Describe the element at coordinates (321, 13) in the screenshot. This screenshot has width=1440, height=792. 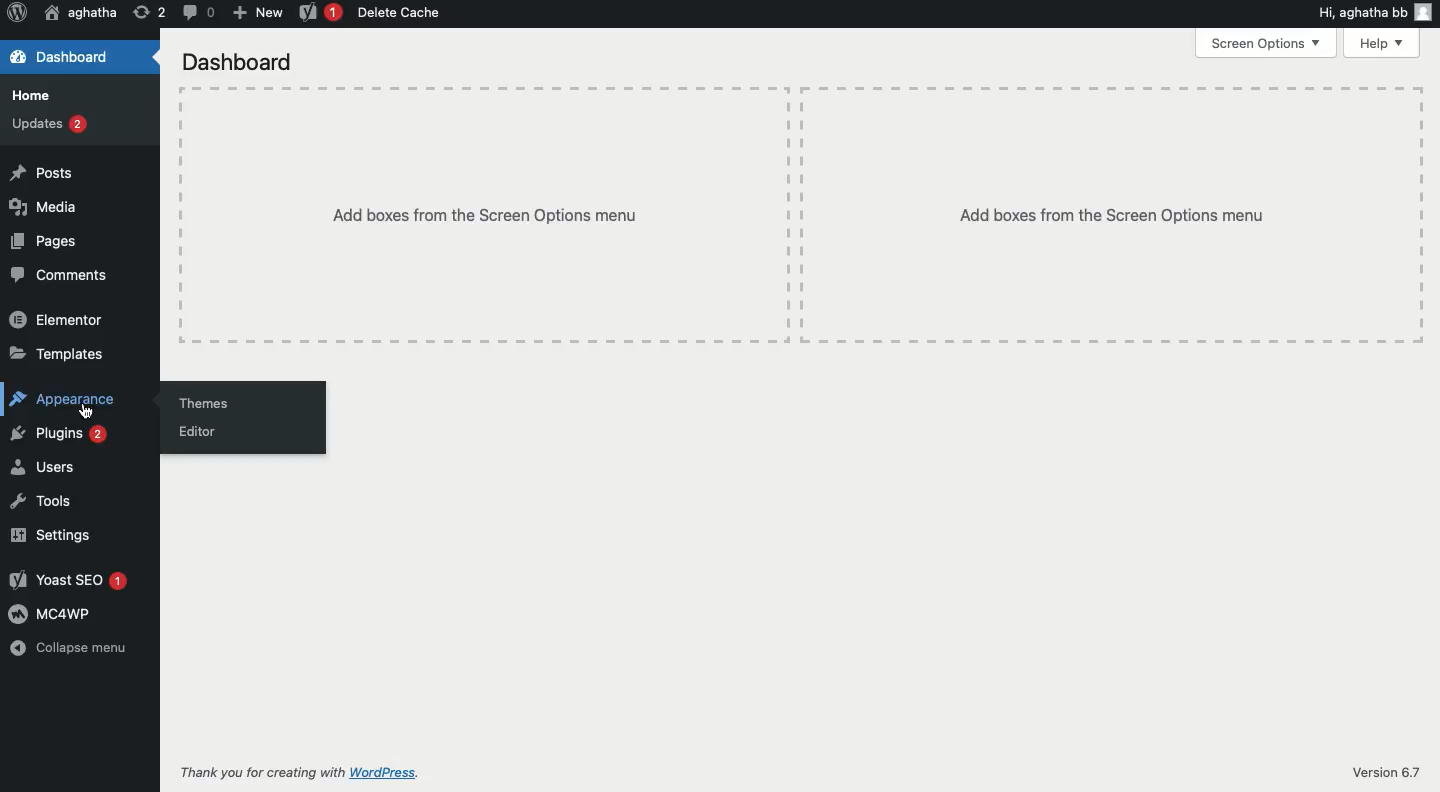
I see `Yoast` at that location.